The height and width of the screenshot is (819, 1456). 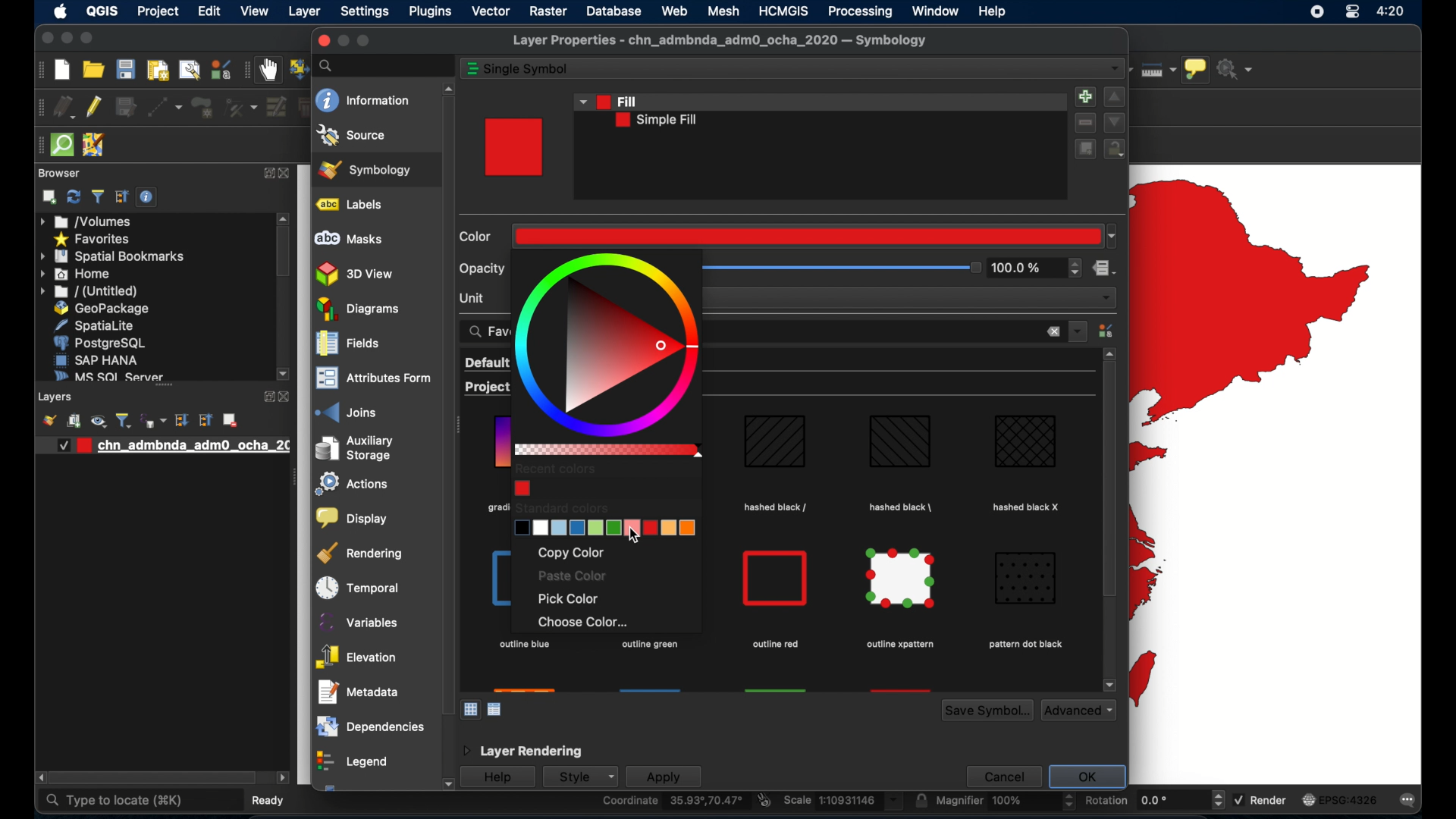 What do you see at coordinates (59, 11) in the screenshot?
I see `apple icon` at bounding box center [59, 11].